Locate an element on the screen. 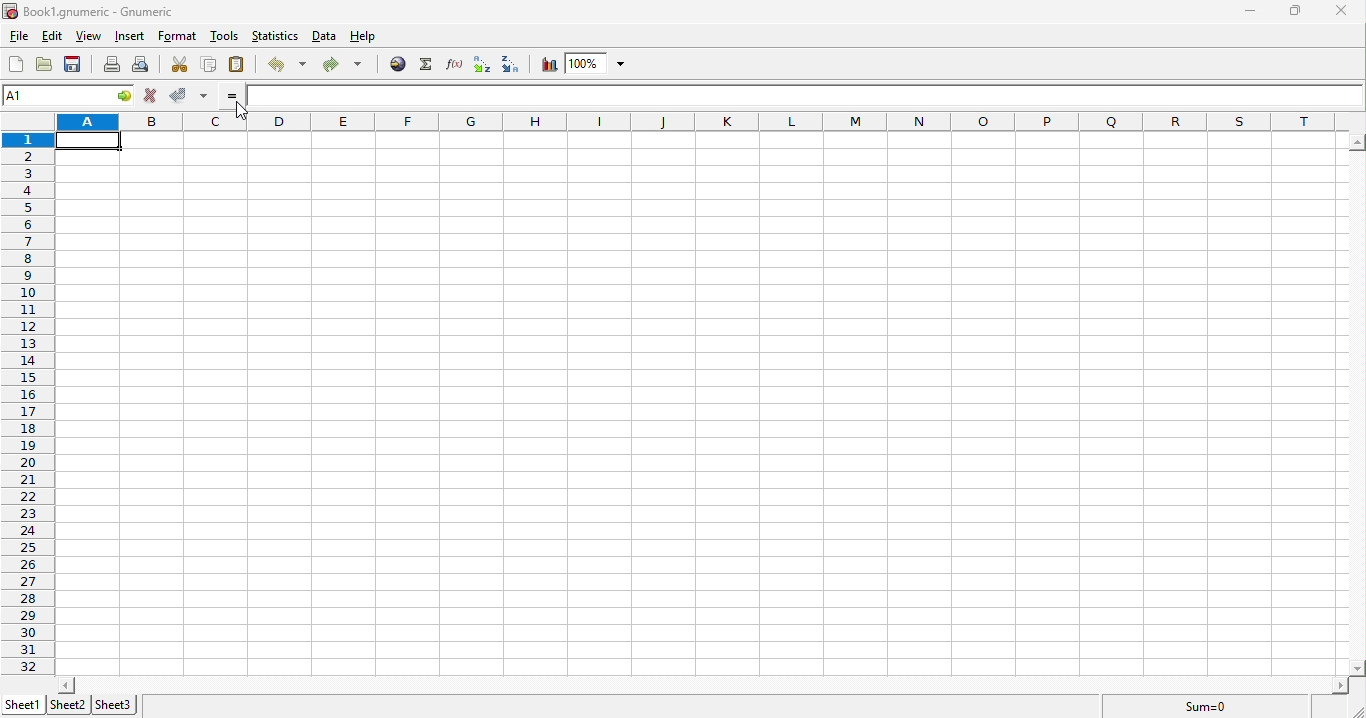 This screenshot has height=718, width=1366. sheet3 is located at coordinates (115, 706).